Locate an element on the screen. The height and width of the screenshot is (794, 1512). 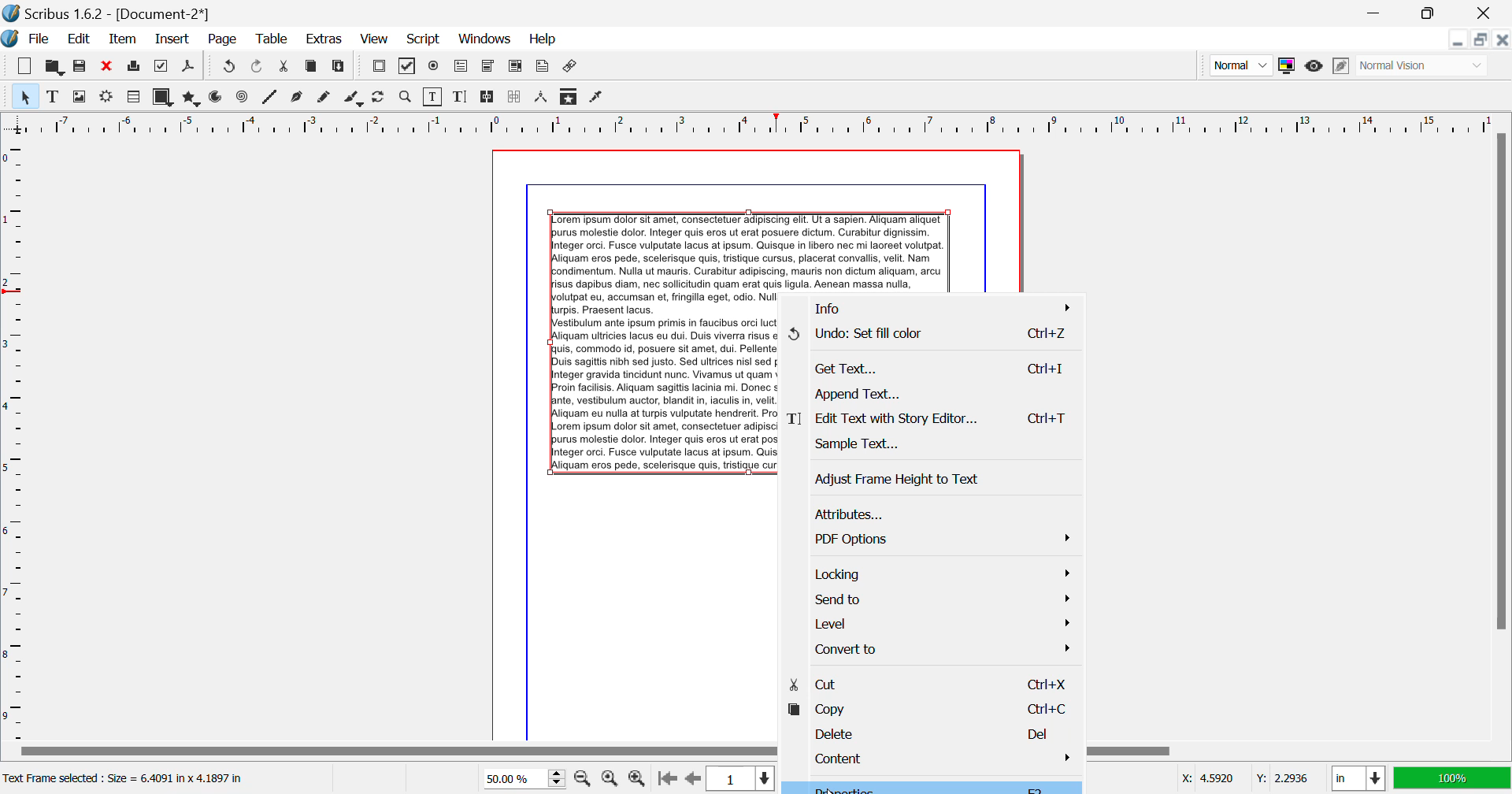
Eyedropper is located at coordinates (597, 98).